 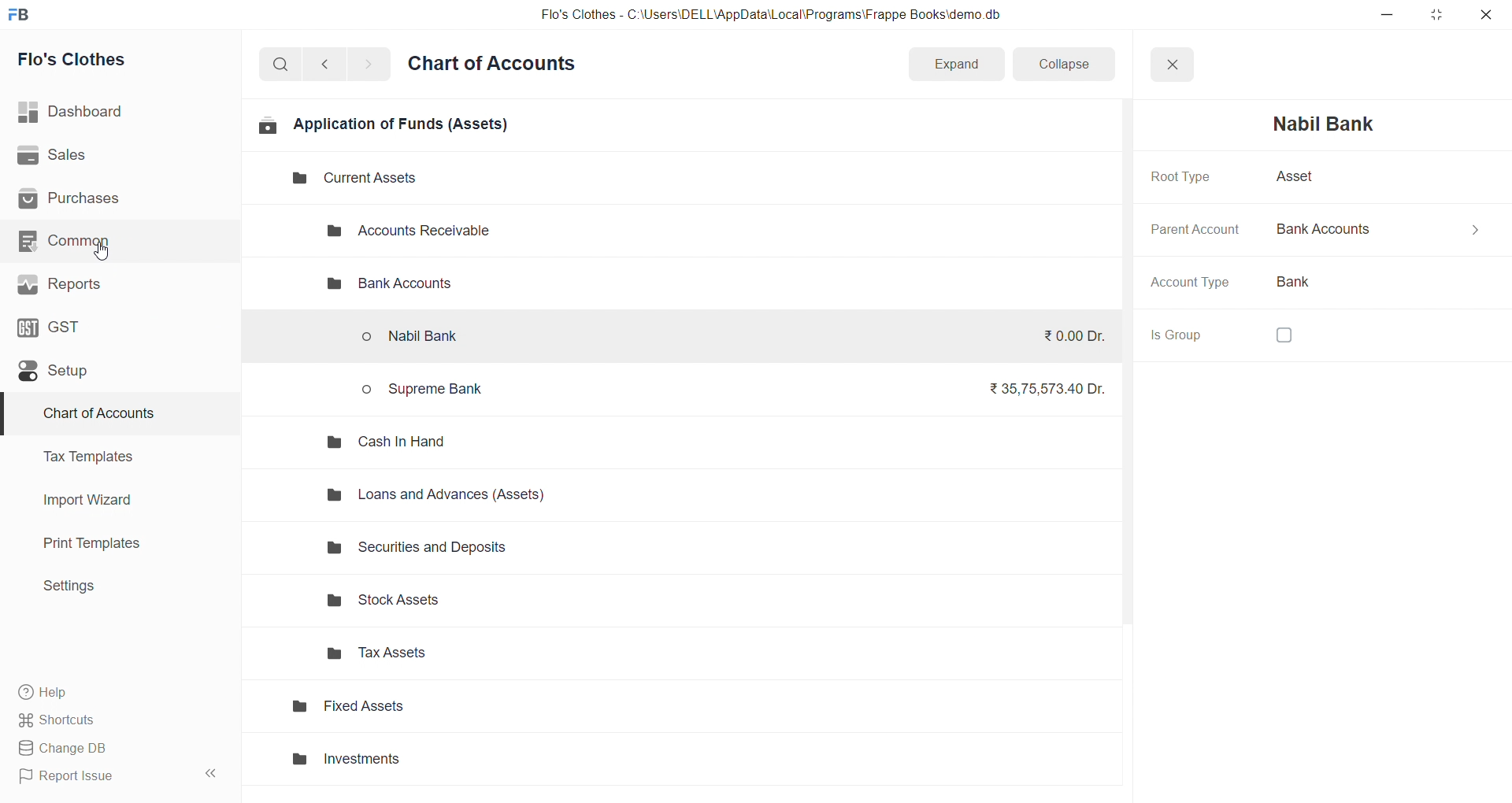 I want to click on Report Issue, so click(x=98, y=776).